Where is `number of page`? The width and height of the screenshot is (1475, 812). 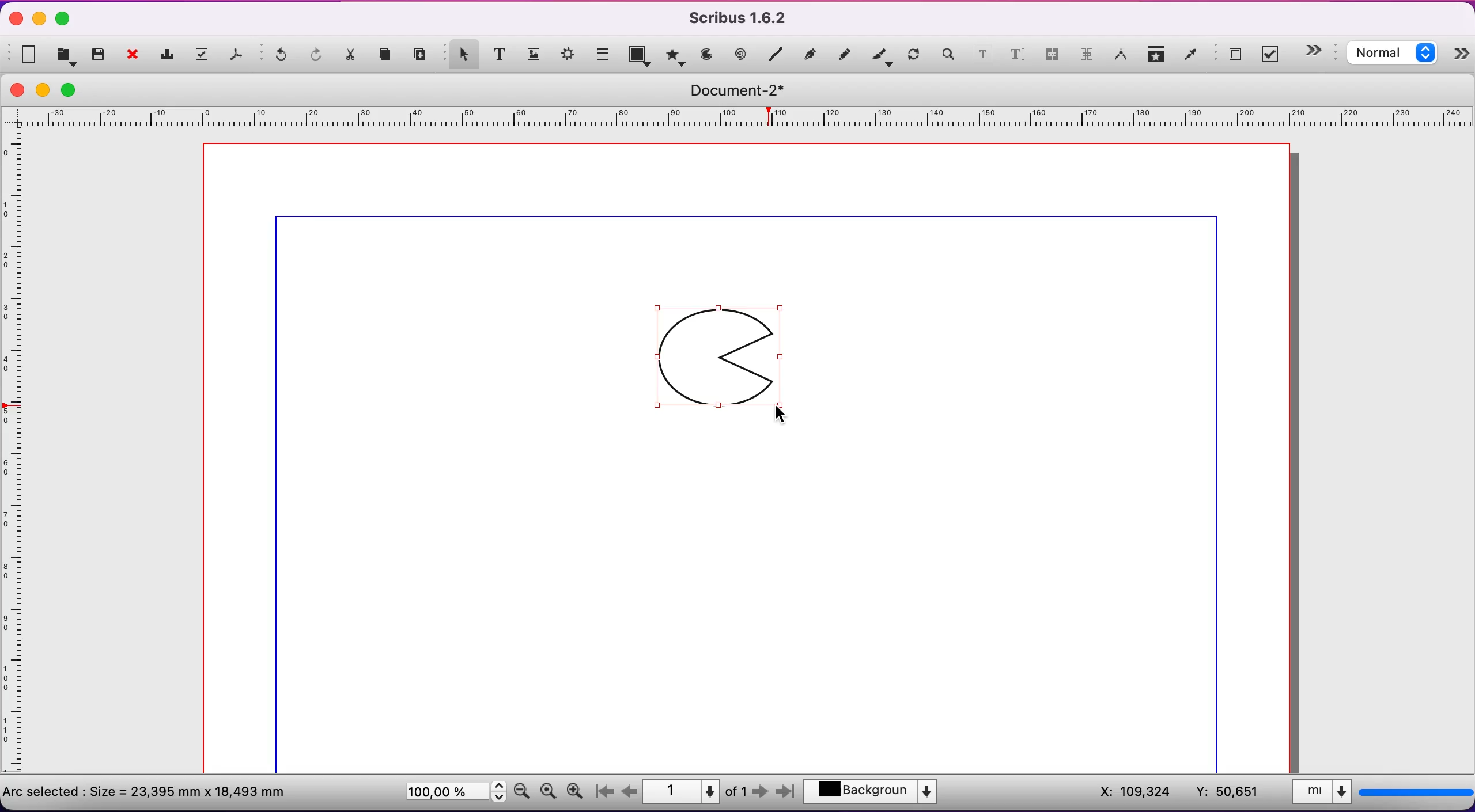 number of page is located at coordinates (696, 791).